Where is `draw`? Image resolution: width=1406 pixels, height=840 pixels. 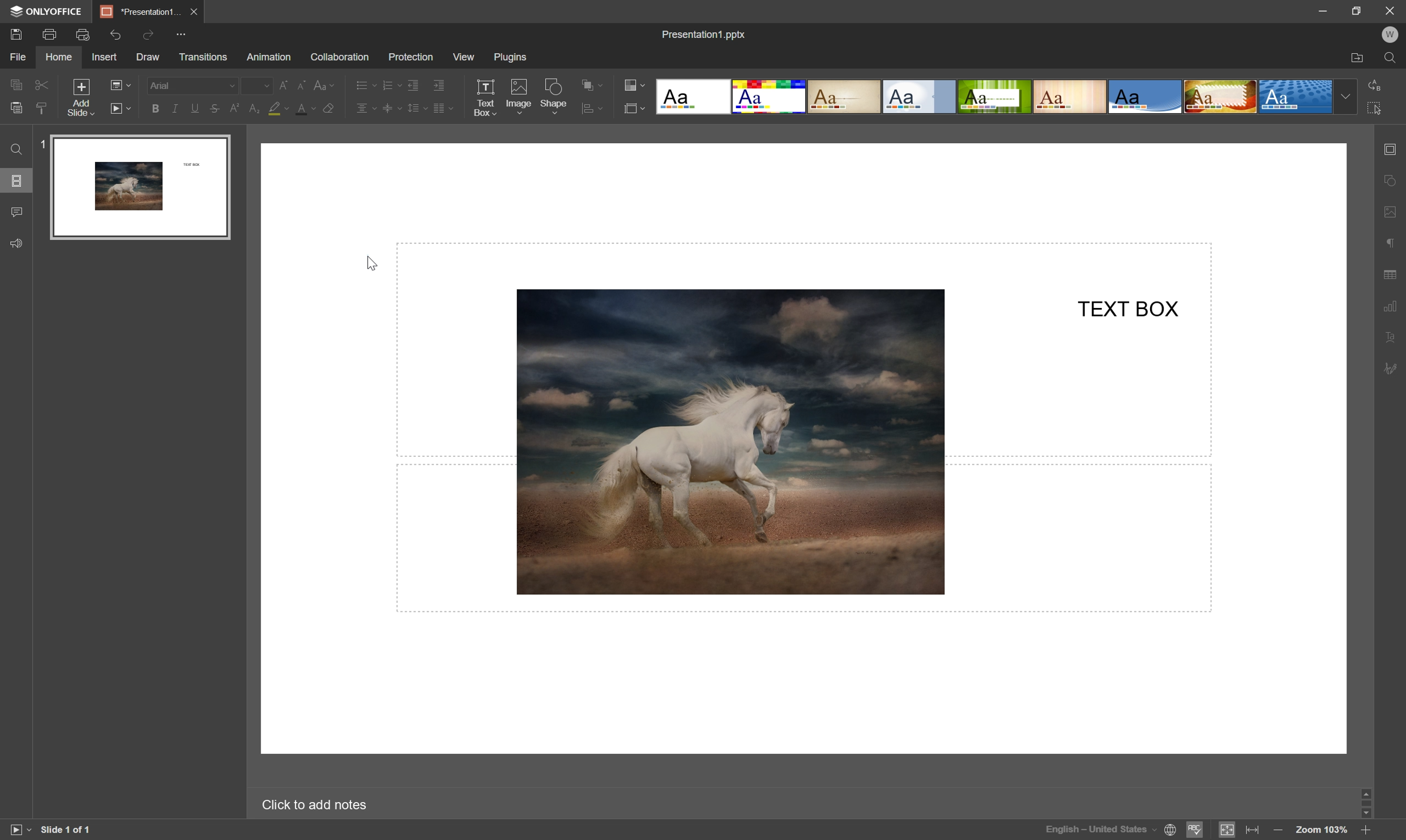
draw is located at coordinates (148, 58).